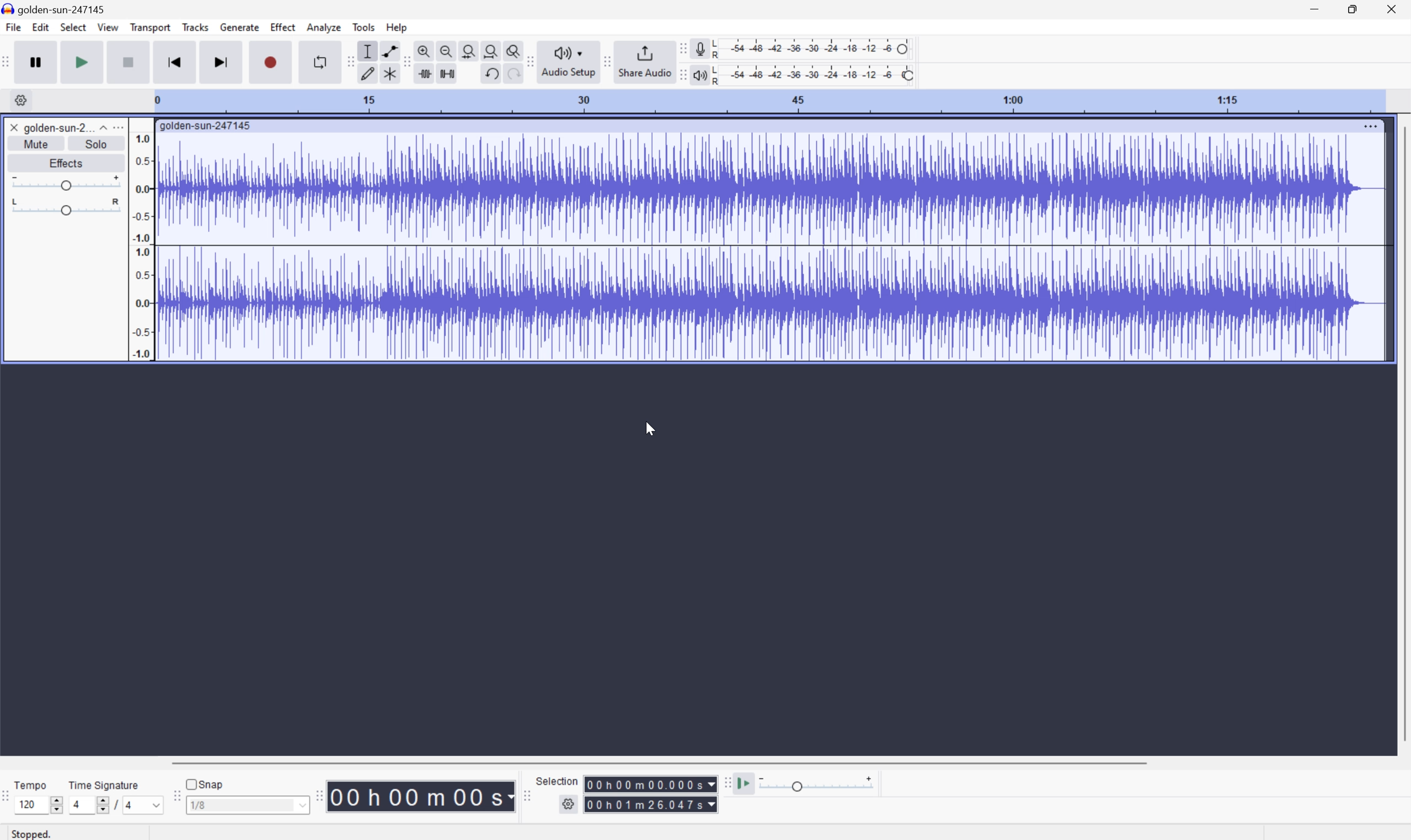 This screenshot has width=1411, height=840. What do you see at coordinates (205, 783) in the screenshot?
I see `Snap` at bounding box center [205, 783].